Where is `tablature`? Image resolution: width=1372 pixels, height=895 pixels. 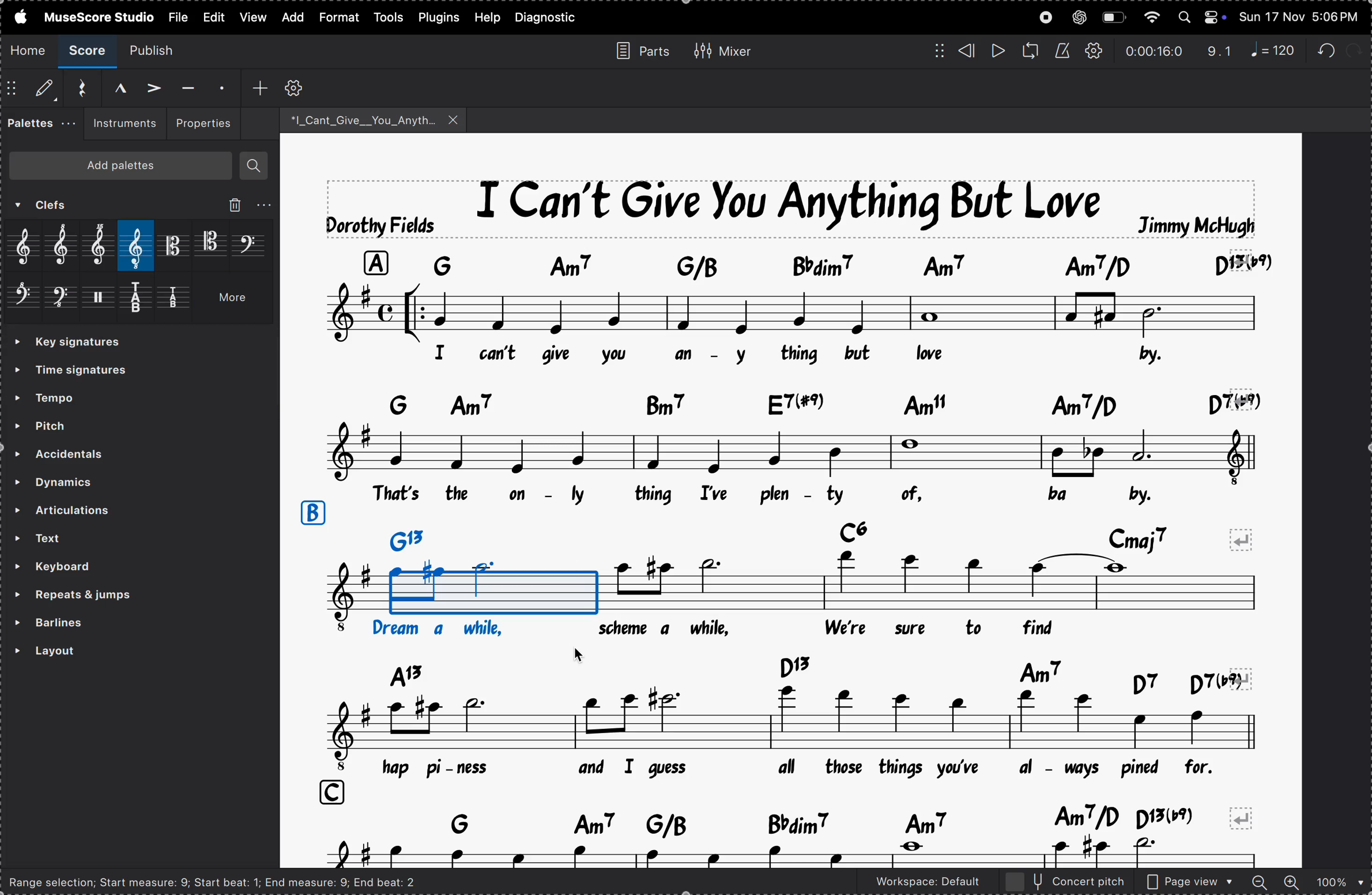 tablature is located at coordinates (142, 300).